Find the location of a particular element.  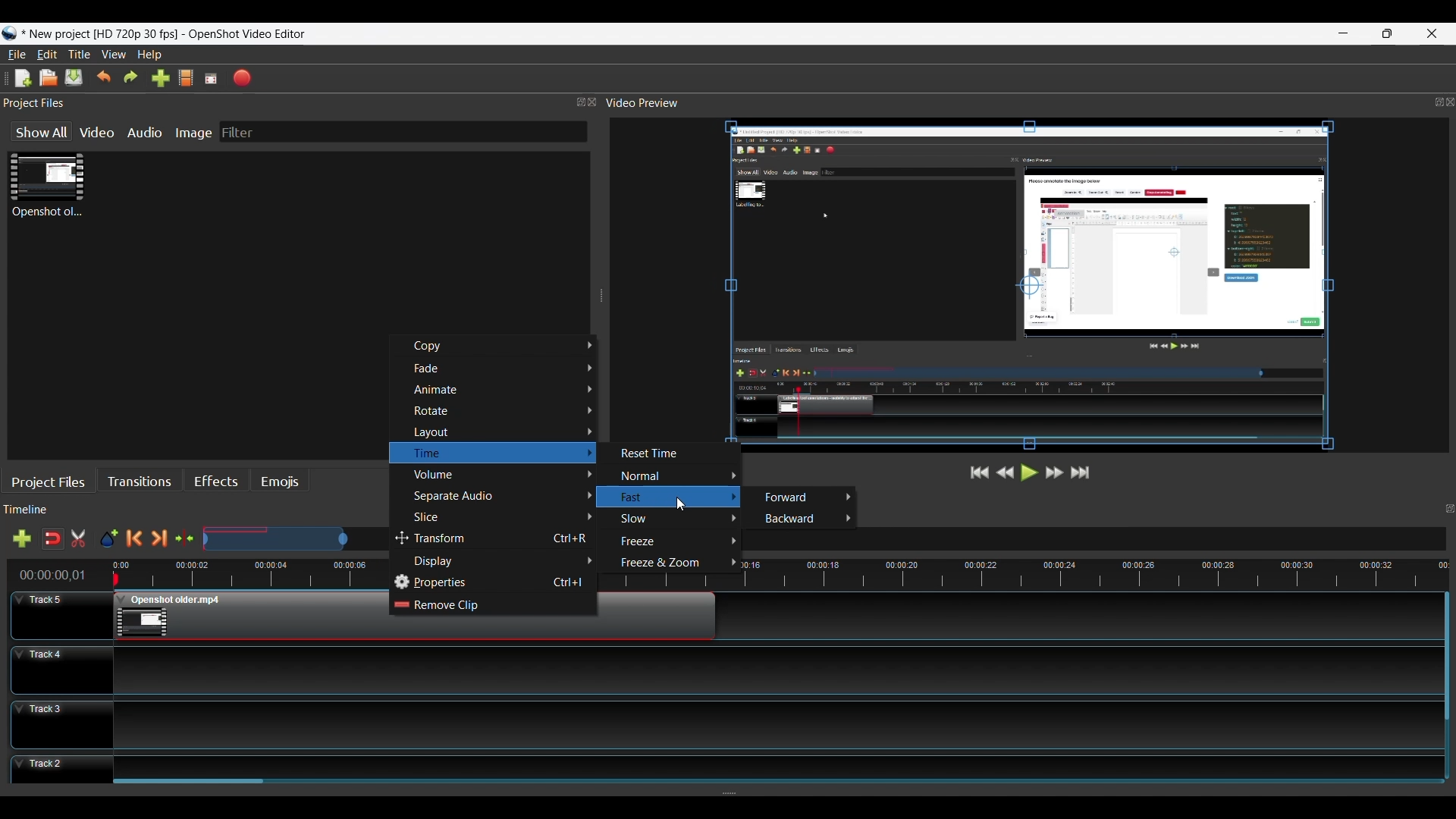

Preview Window is located at coordinates (1032, 288).